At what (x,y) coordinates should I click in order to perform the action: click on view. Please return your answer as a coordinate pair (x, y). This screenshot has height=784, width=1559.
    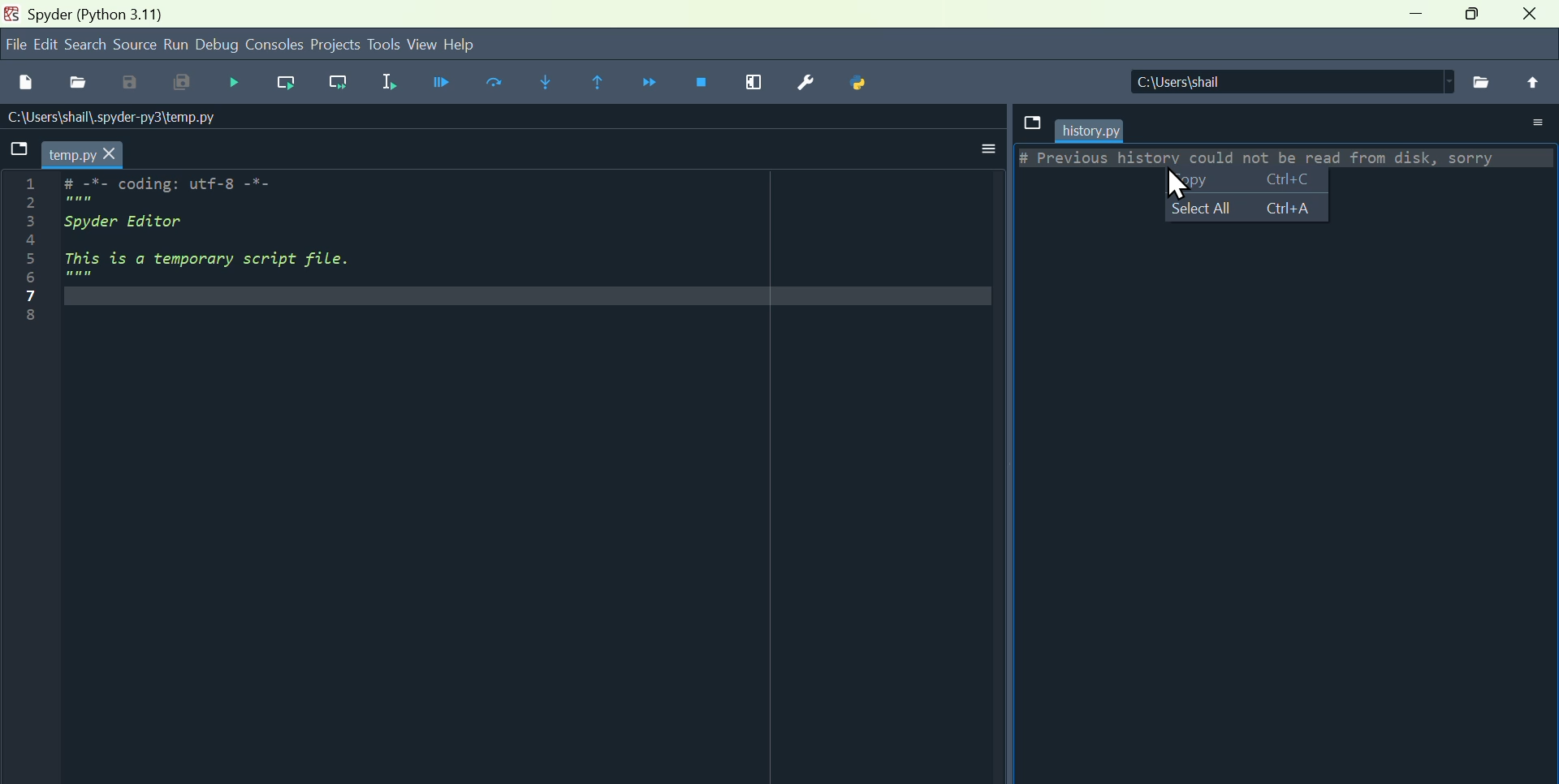
    Looking at the image, I should click on (423, 44).